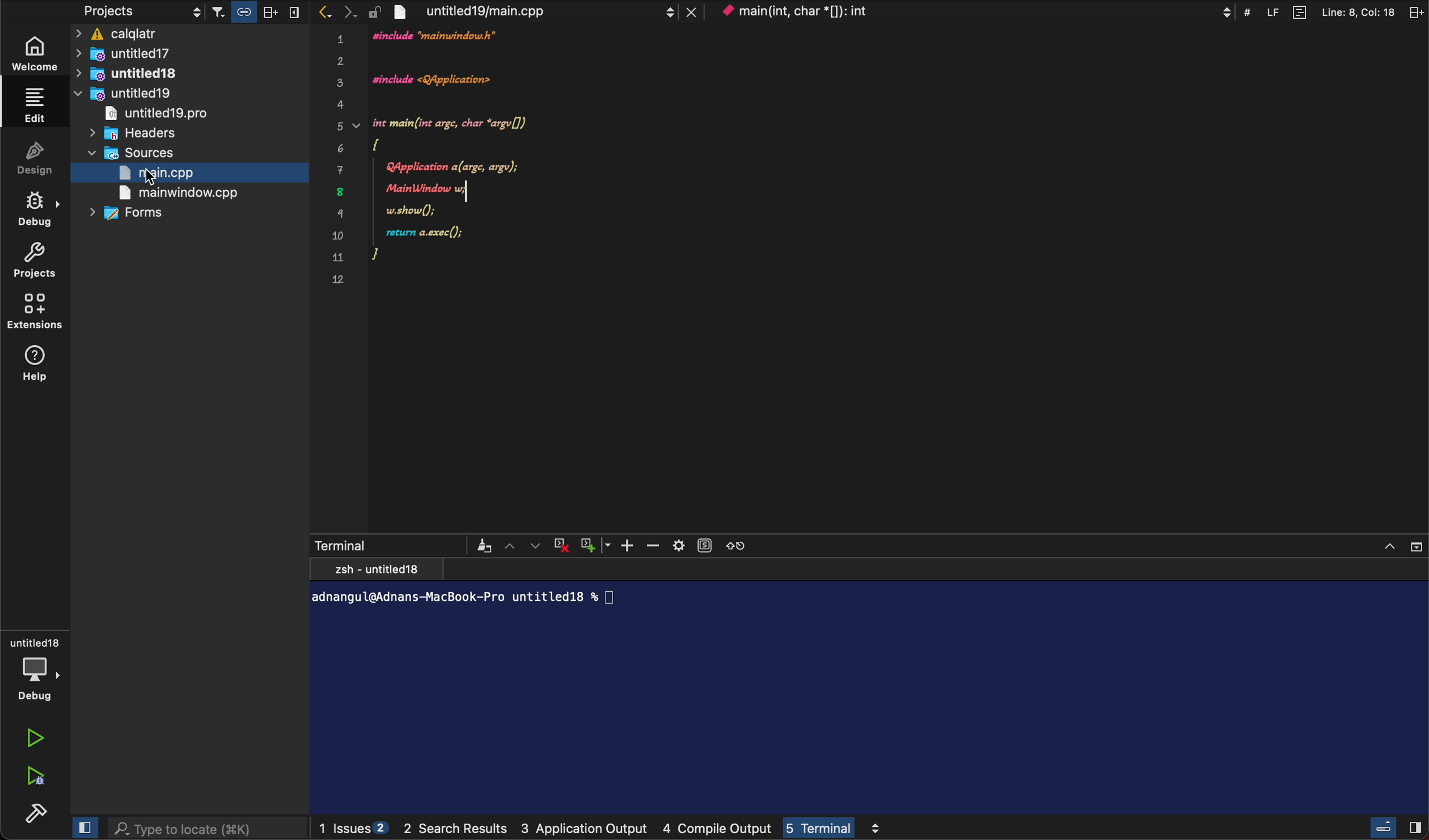 The image size is (1429, 840). What do you see at coordinates (705, 544) in the screenshot?
I see `Subtitles` at bounding box center [705, 544].